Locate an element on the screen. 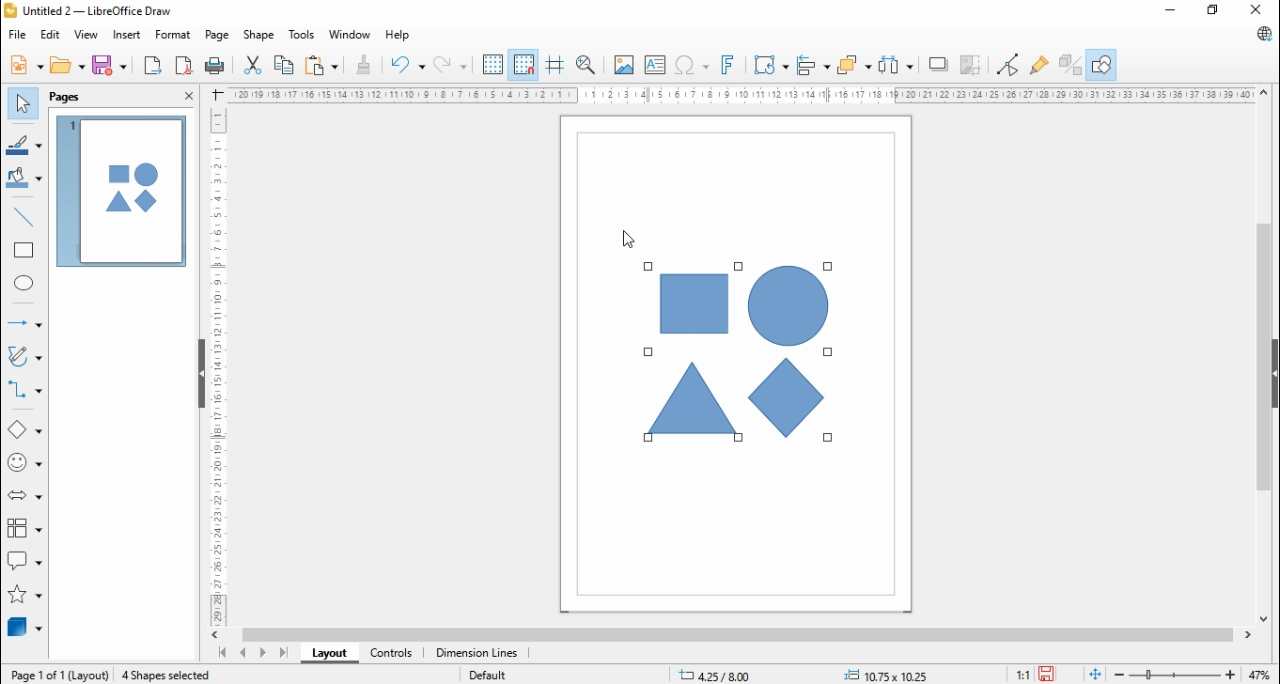 Image resolution: width=1280 pixels, height=684 pixels. snap to grids is located at coordinates (523, 64).